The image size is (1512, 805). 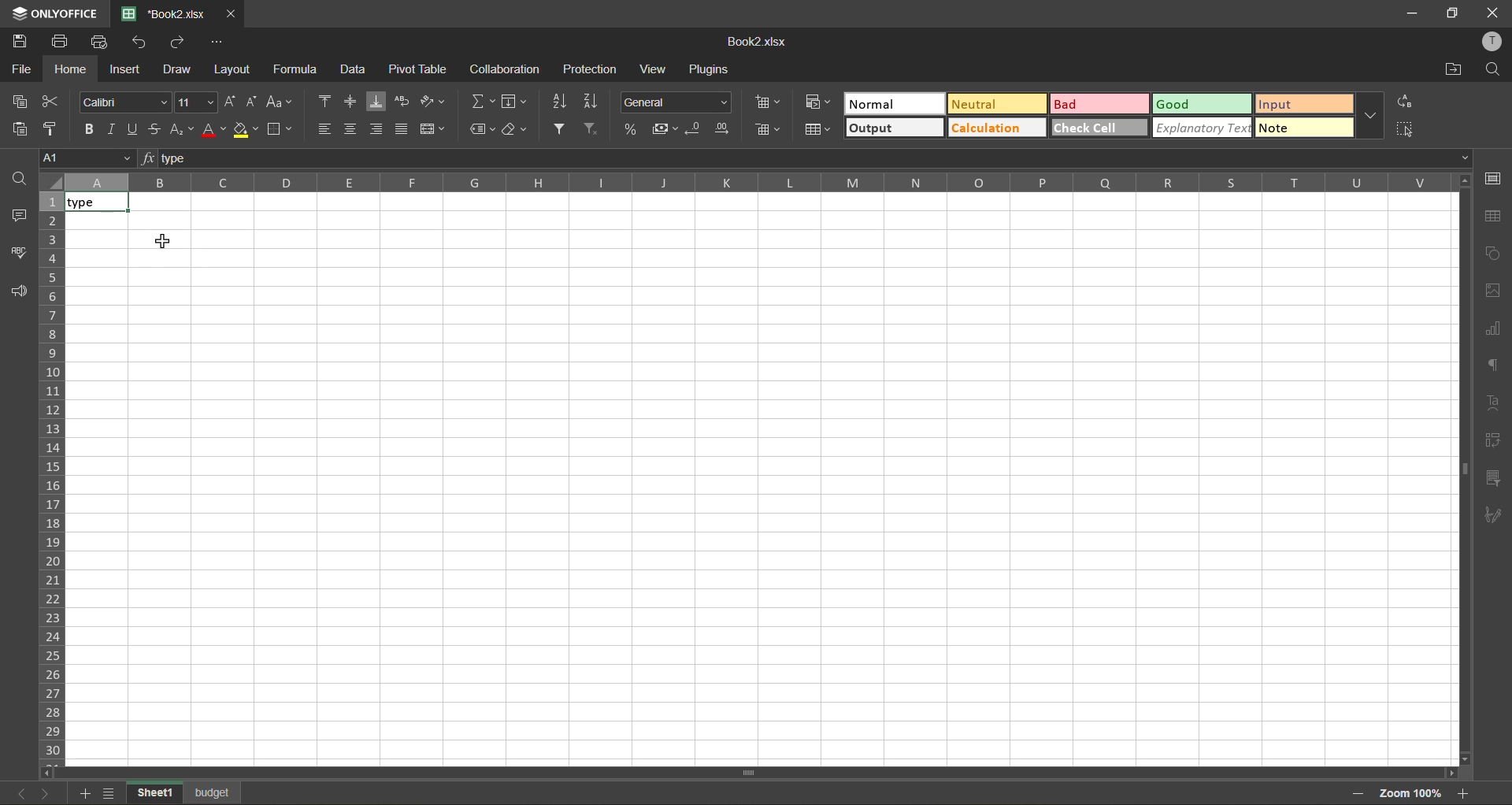 What do you see at coordinates (676, 102) in the screenshot?
I see `number format` at bounding box center [676, 102].